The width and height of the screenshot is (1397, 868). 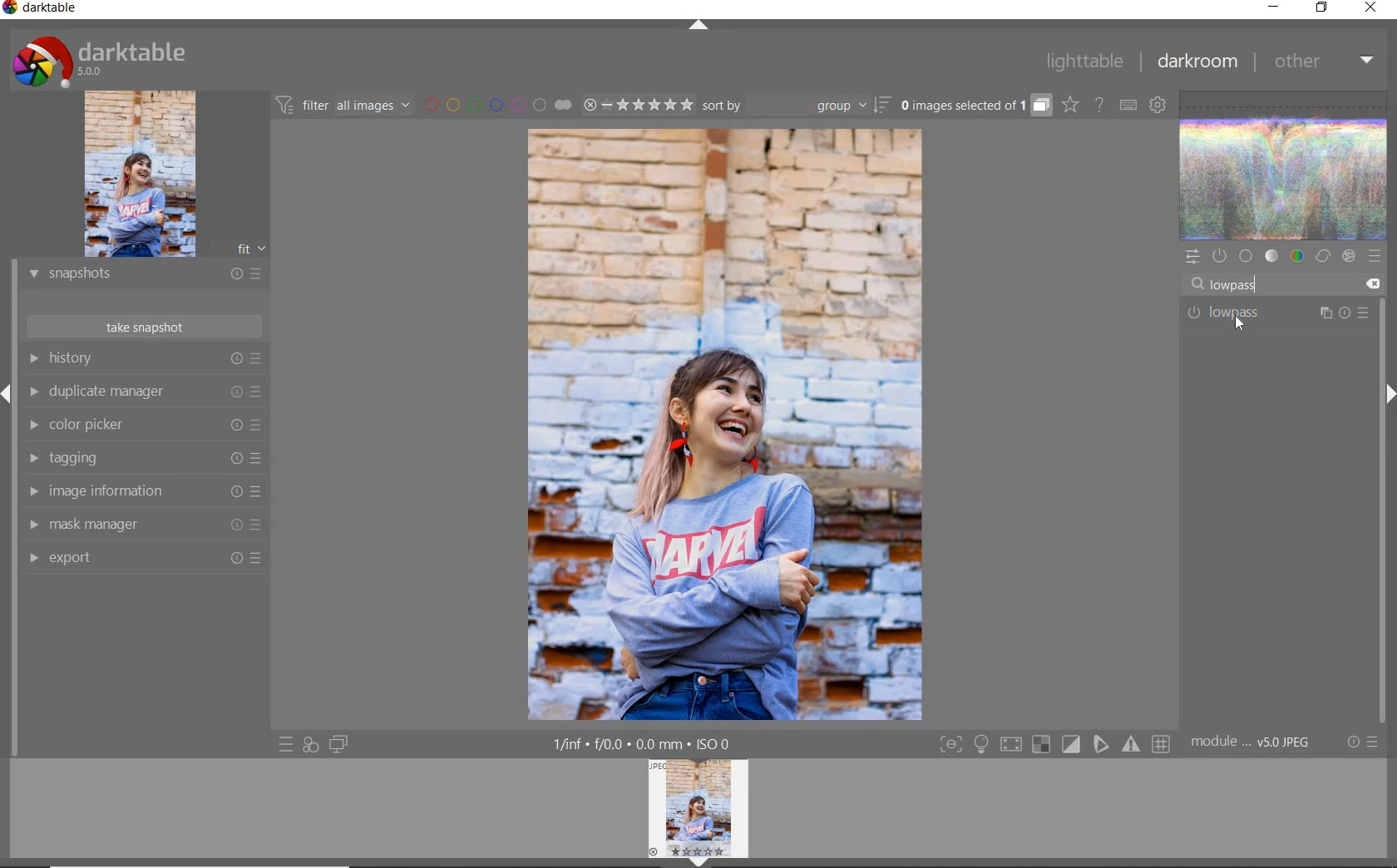 I want to click on scrollbar, so click(x=1383, y=447).